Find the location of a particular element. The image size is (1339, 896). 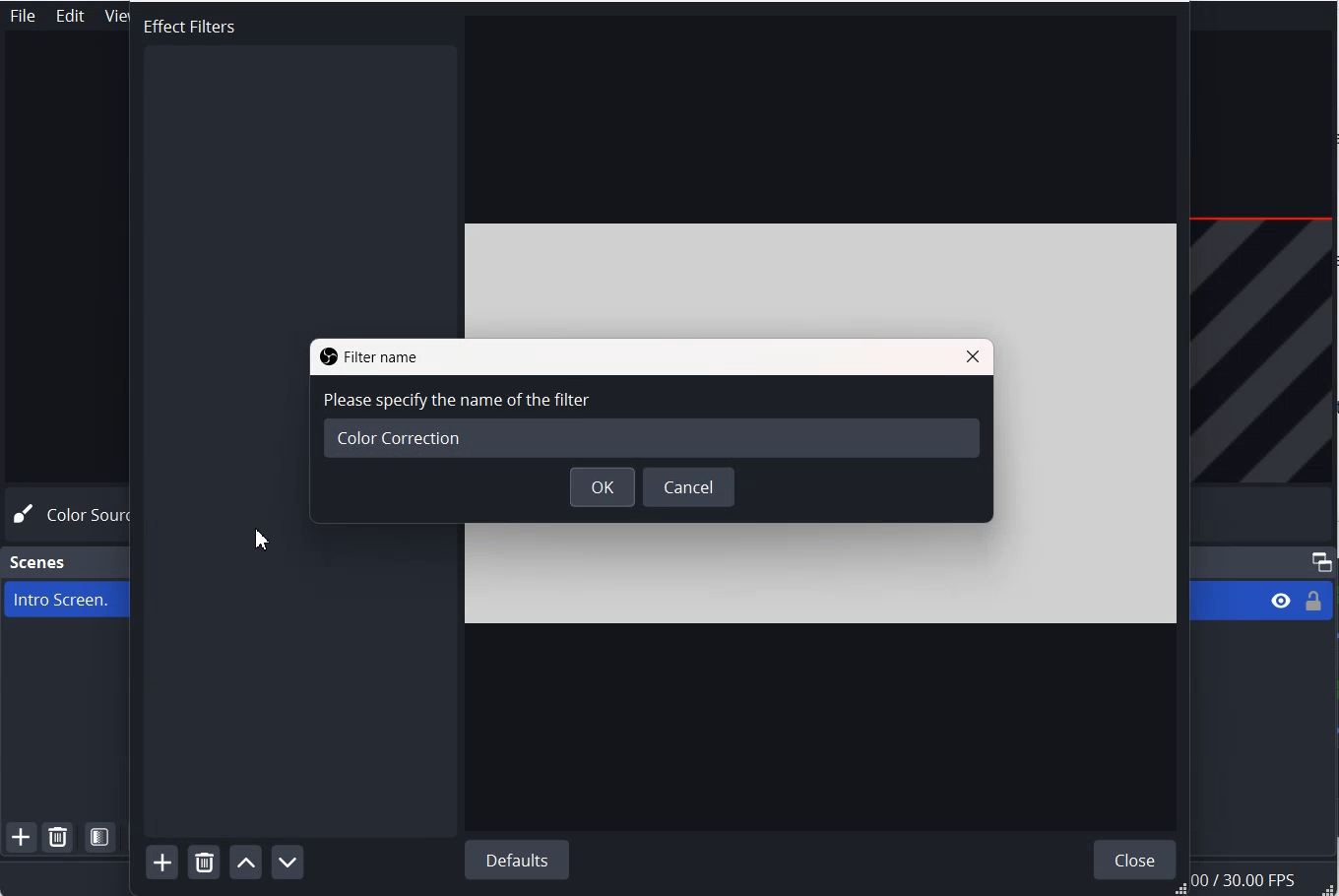

Edit is located at coordinates (71, 16).